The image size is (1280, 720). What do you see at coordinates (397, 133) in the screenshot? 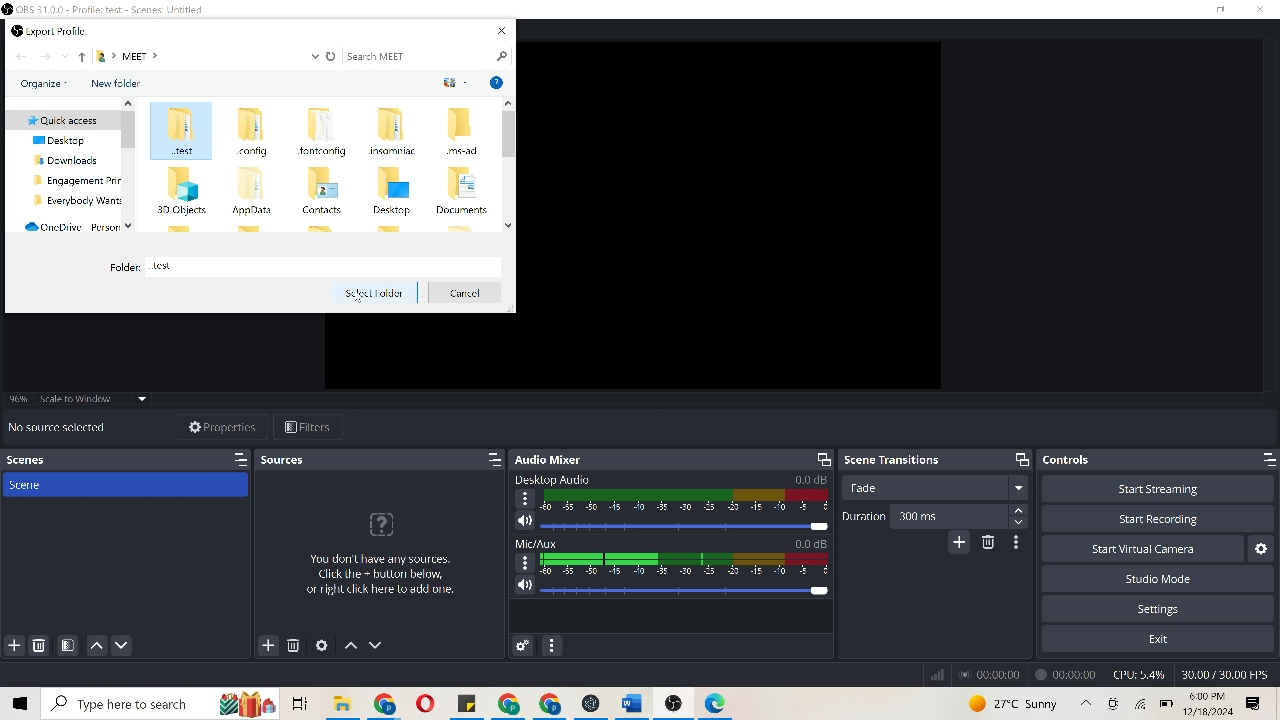
I see `.insamniac` at bounding box center [397, 133].